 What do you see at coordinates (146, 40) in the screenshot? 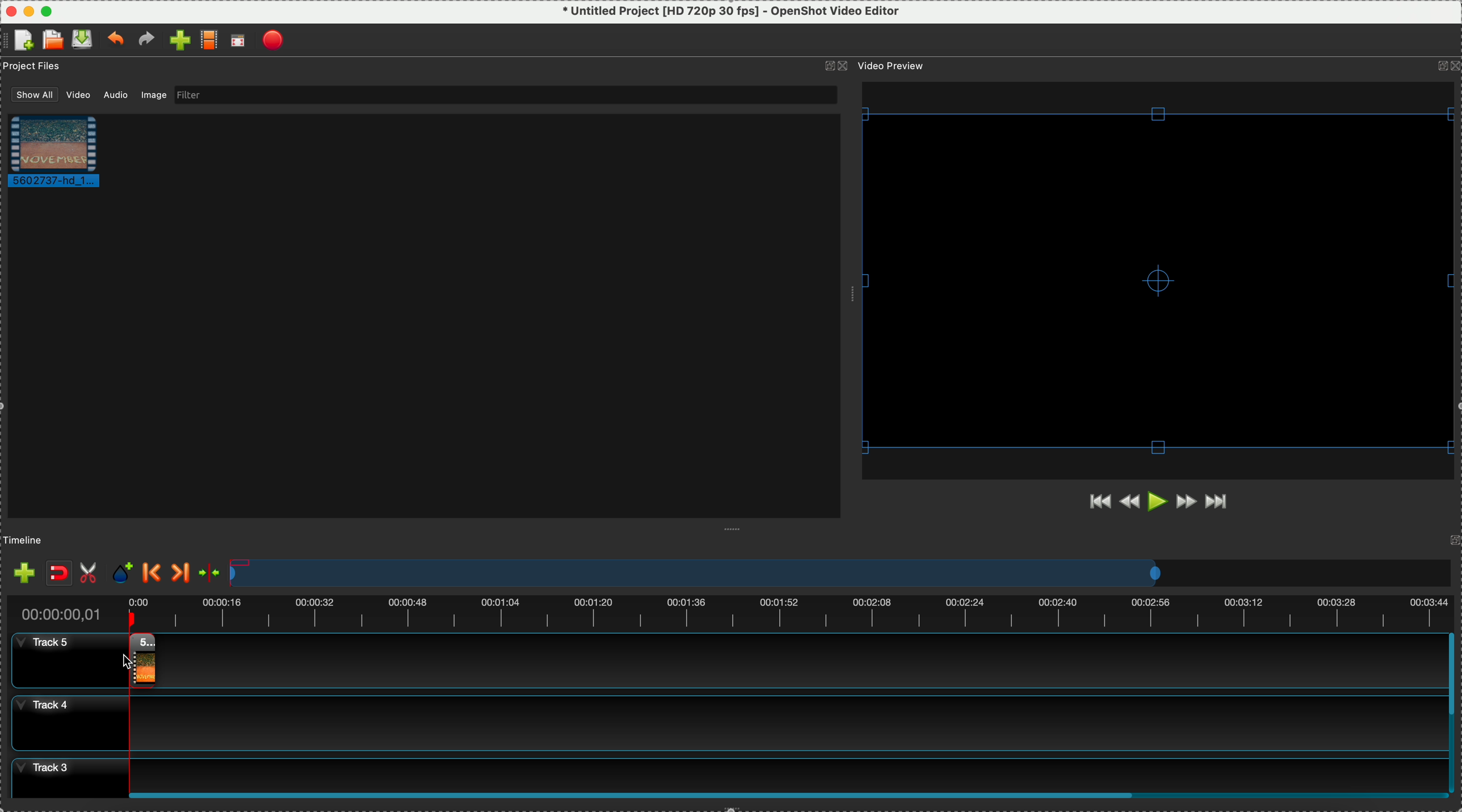
I see `redo` at bounding box center [146, 40].